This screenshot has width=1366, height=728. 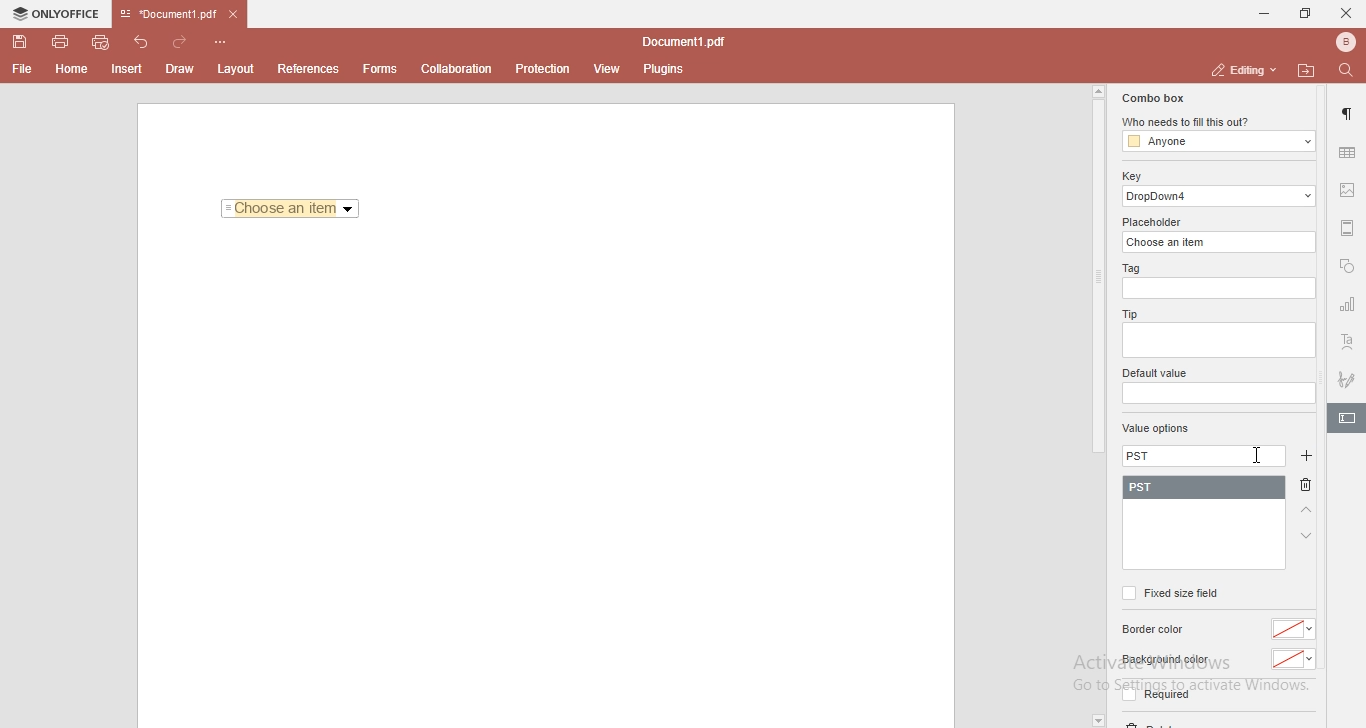 I want to click on forms, so click(x=380, y=69).